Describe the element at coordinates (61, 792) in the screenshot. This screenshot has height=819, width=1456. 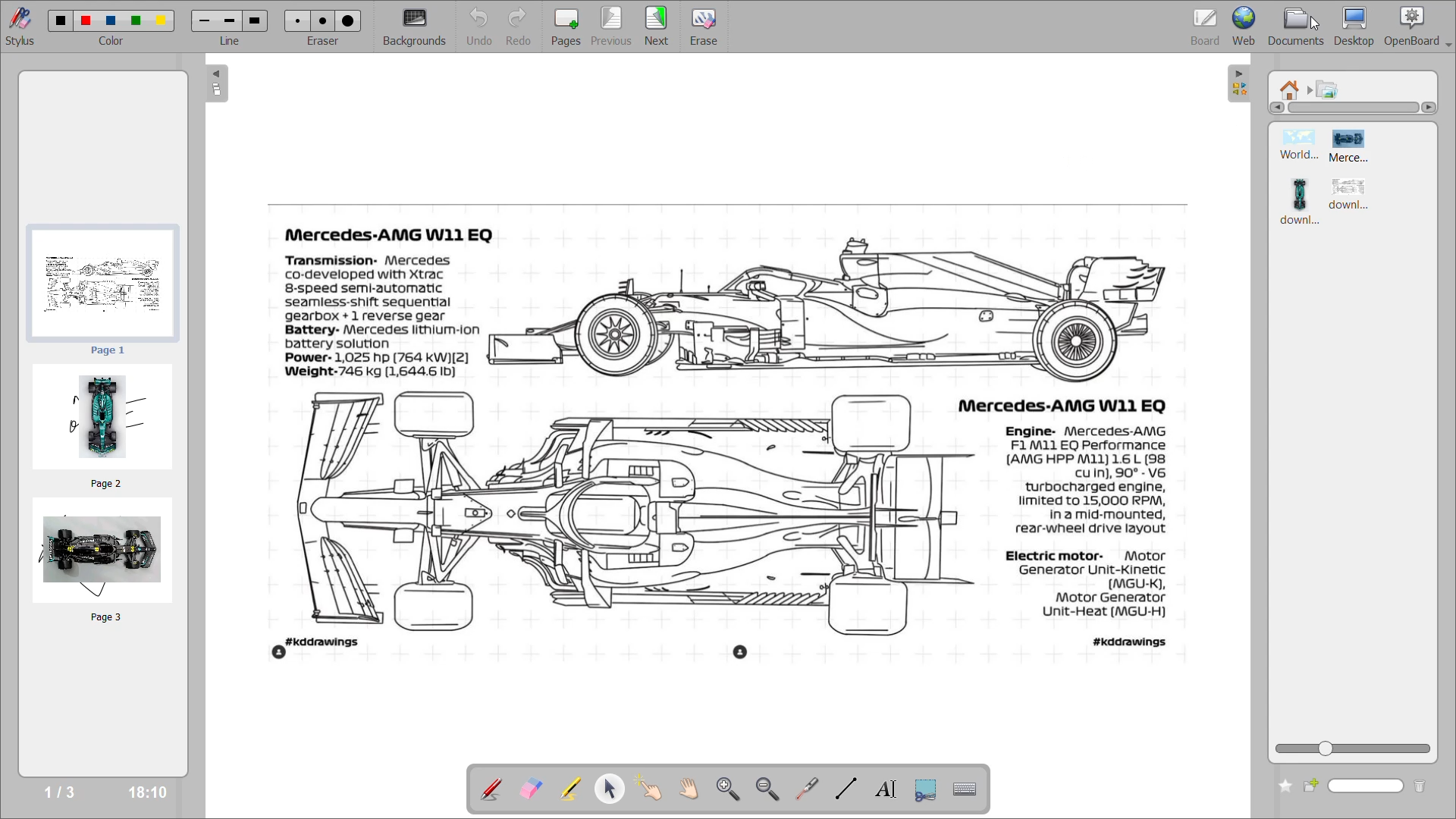
I see `1/3` at that location.